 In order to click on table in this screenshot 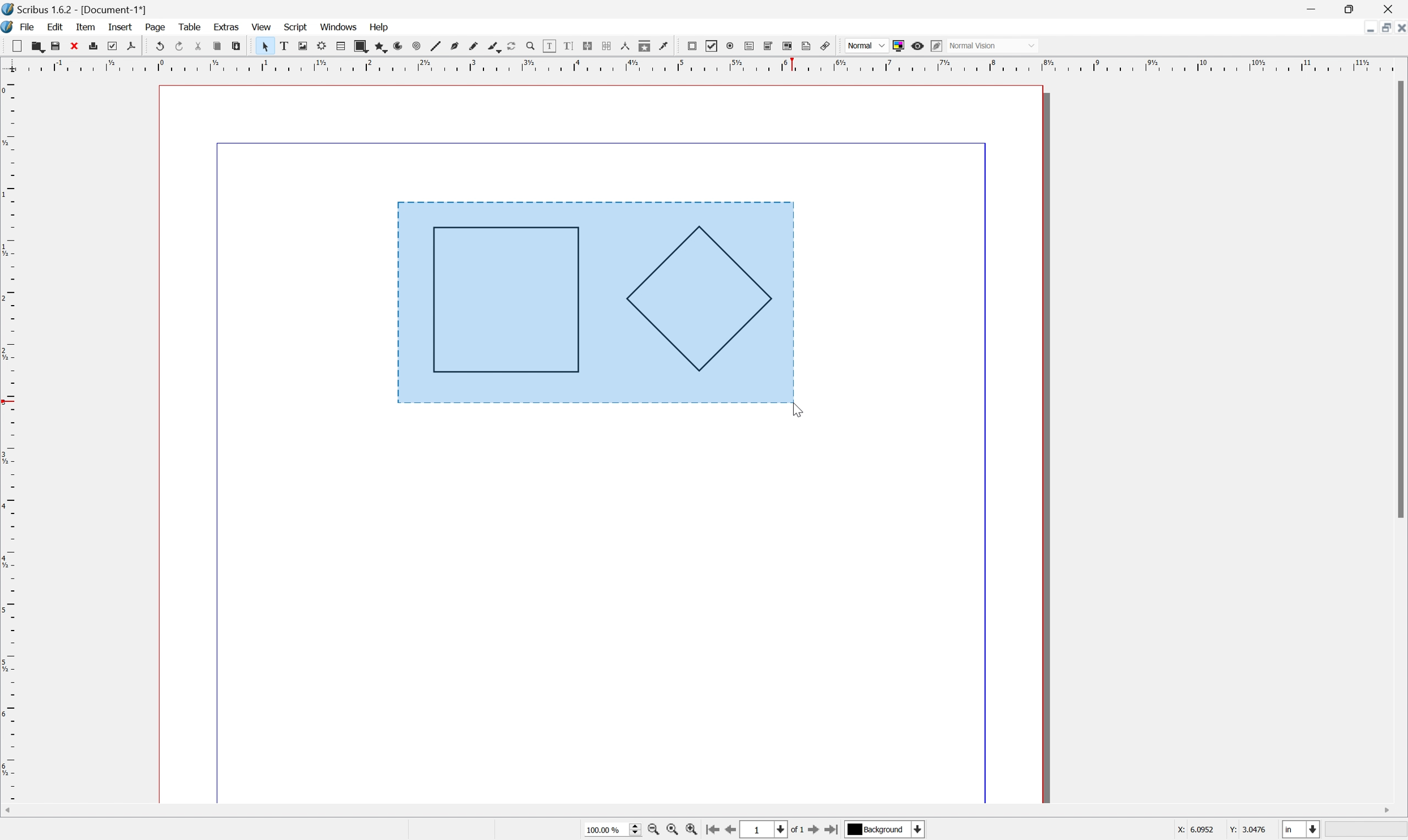, I will do `click(192, 28)`.